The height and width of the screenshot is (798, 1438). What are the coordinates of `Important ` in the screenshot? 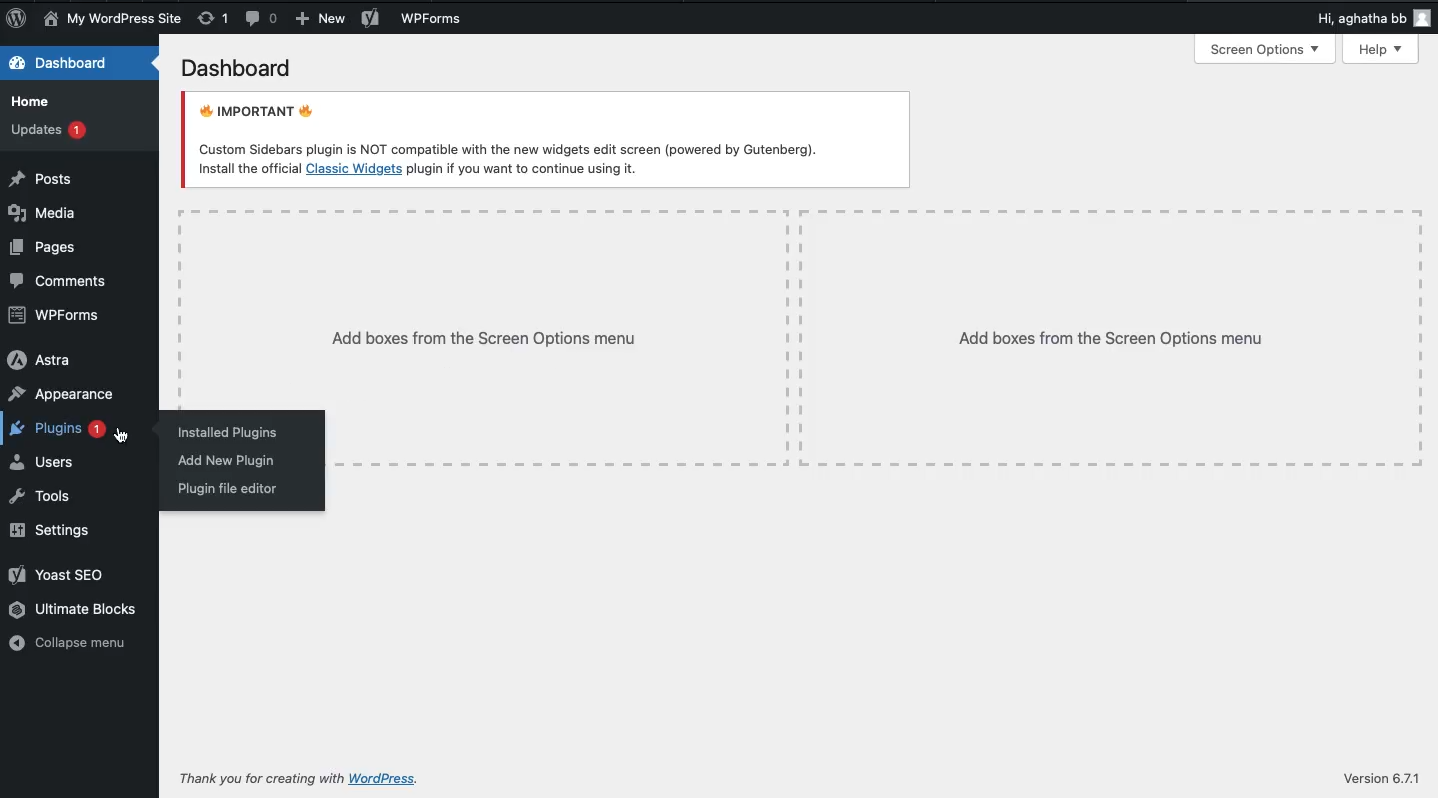 It's located at (511, 126).